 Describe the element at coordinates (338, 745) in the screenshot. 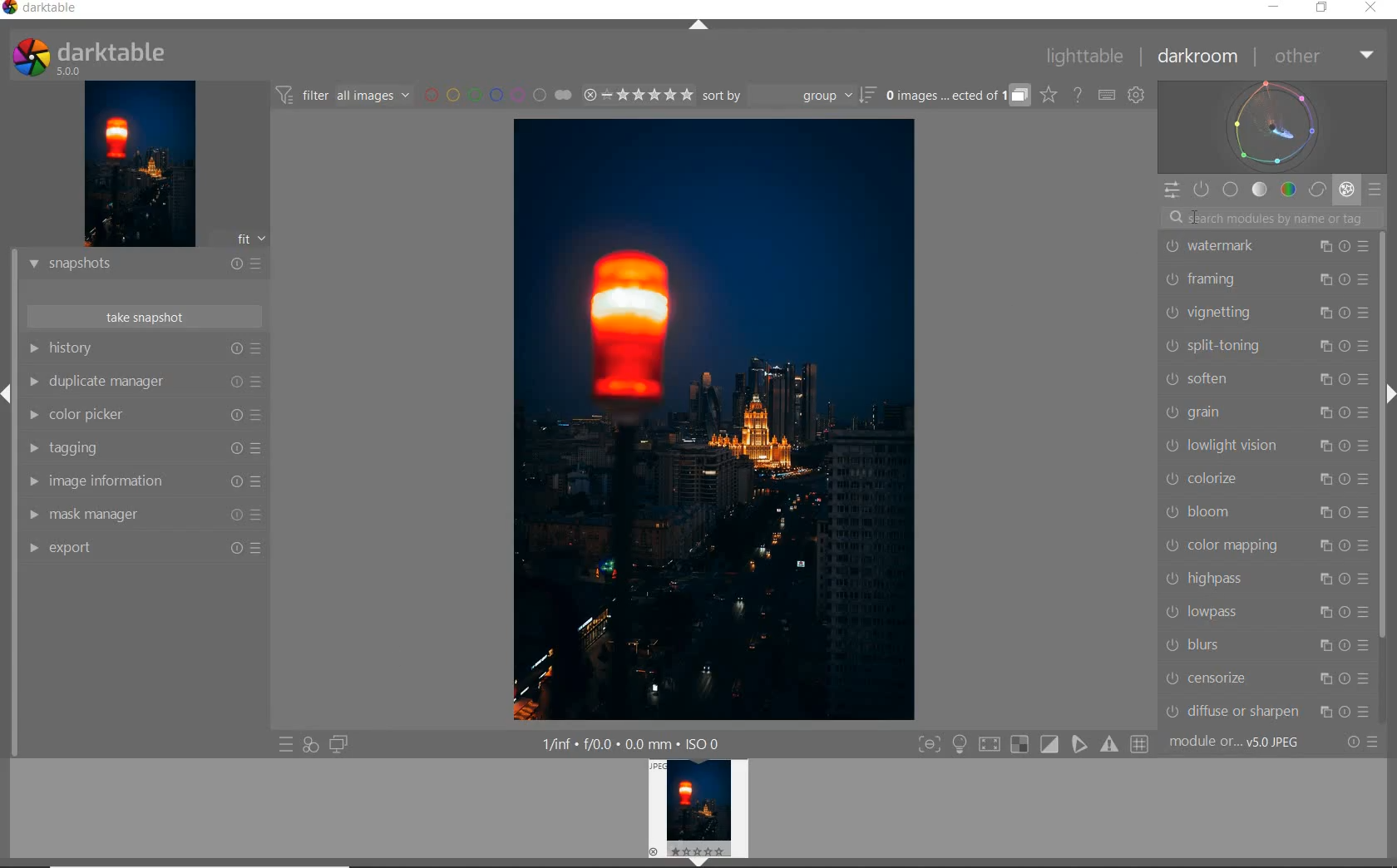

I see `DISPLAY A SECOND DARKROOM IMAGE WINDOW` at that location.